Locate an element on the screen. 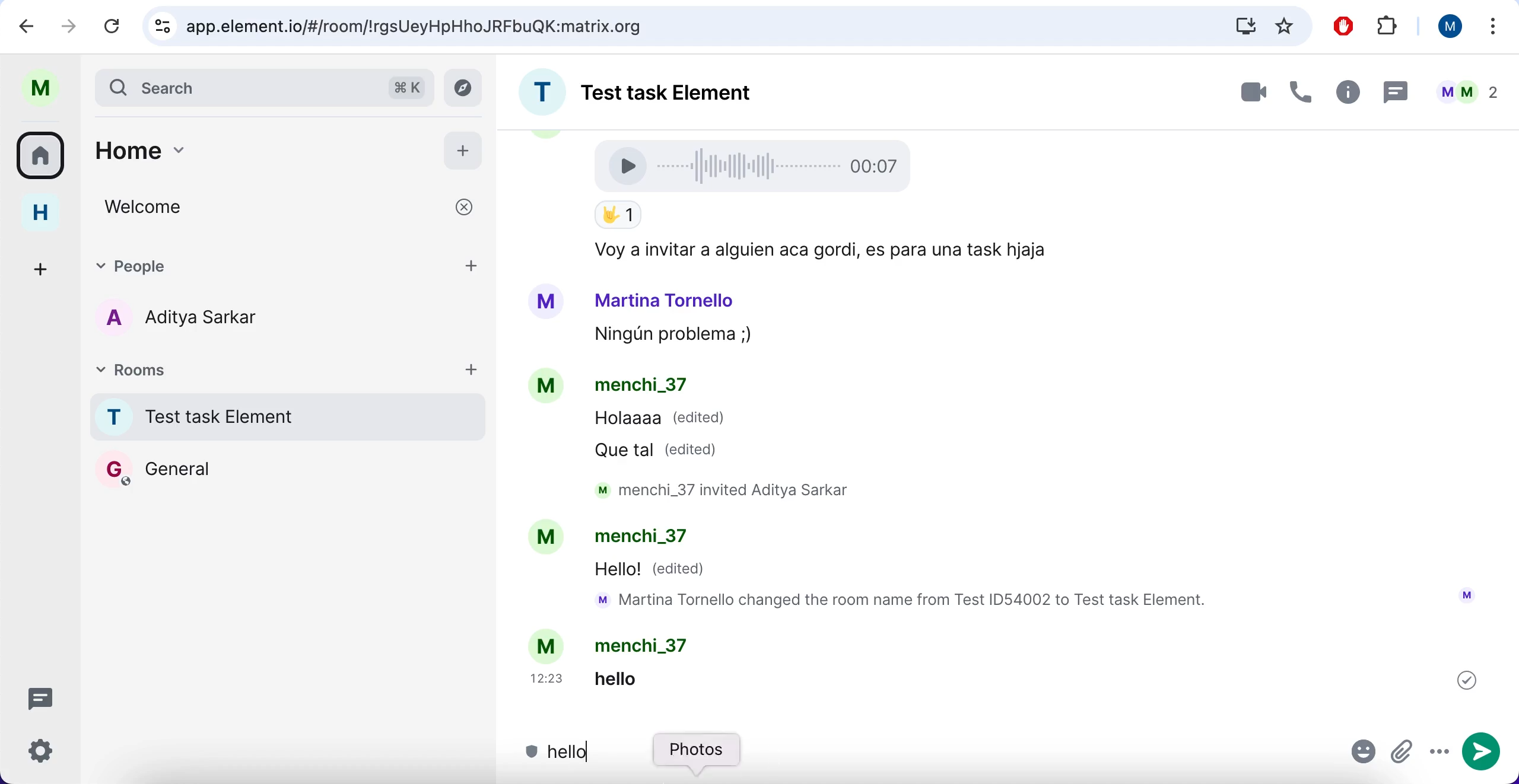 The height and width of the screenshot is (784, 1519). backward is located at coordinates (27, 25).